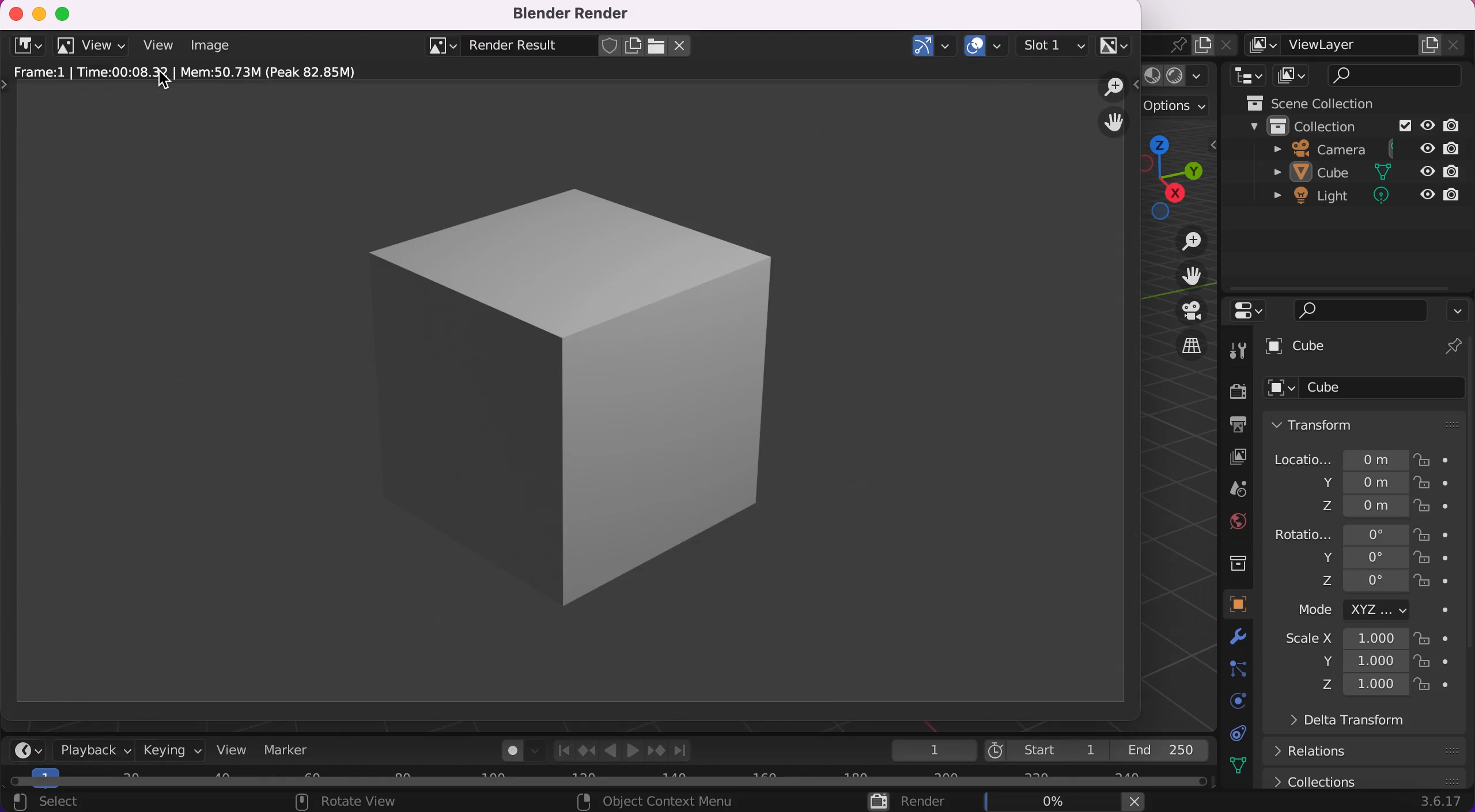 The image size is (1475, 812). What do you see at coordinates (1364, 581) in the screenshot?
I see `z 0` at bounding box center [1364, 581].